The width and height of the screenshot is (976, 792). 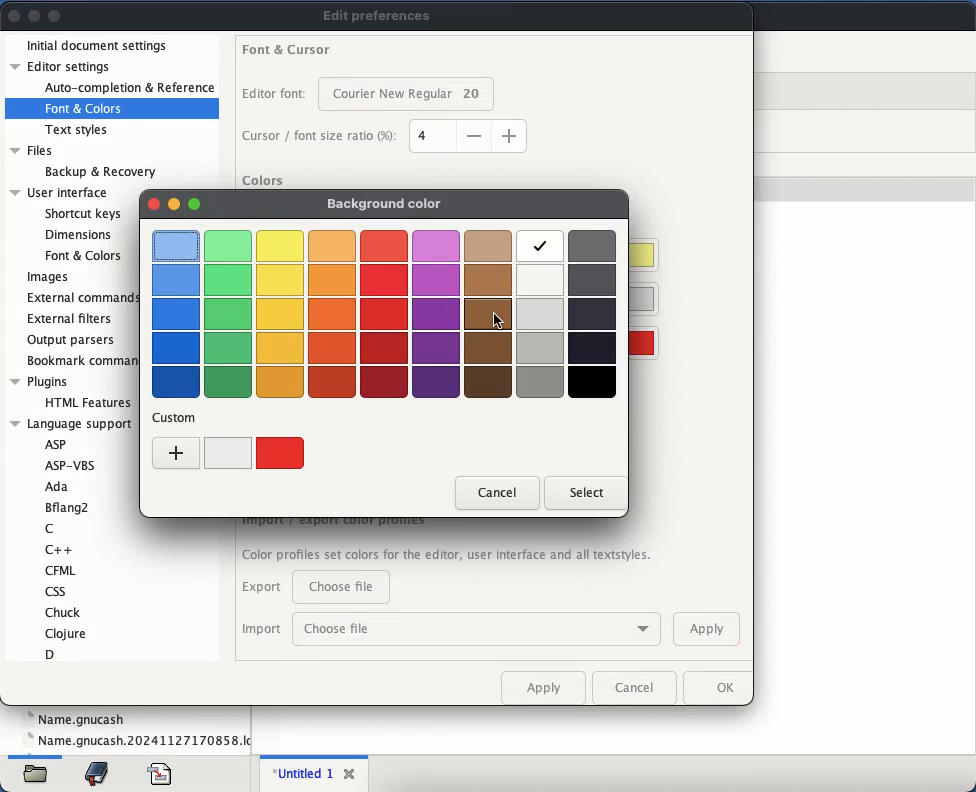 What do you see at coordinates (62, 68) in the screenshot?
I see `editor settings` at bounding box center [62, 68].